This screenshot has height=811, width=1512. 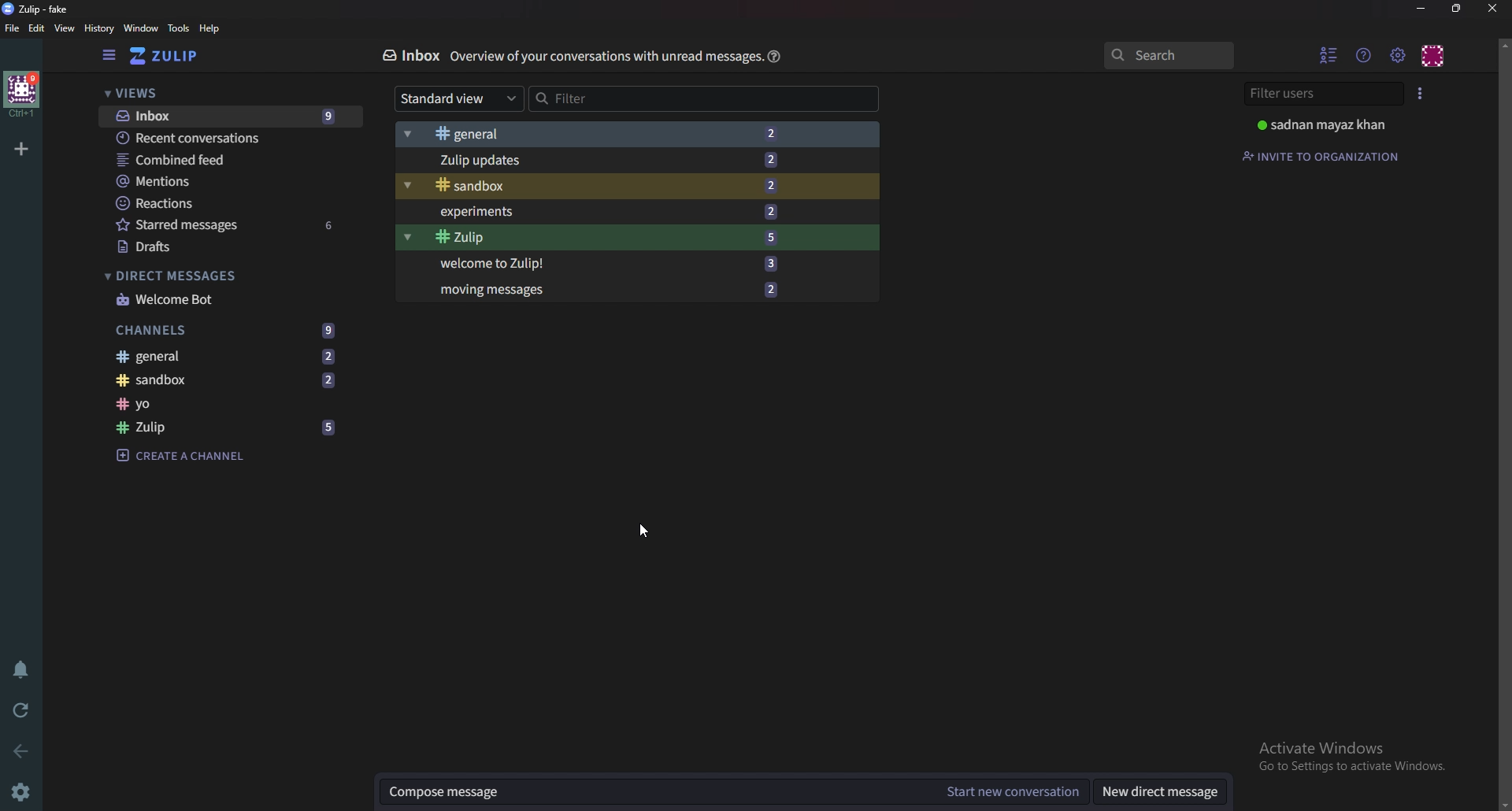 I want to click on Mentions, so click(x=212, y=182).